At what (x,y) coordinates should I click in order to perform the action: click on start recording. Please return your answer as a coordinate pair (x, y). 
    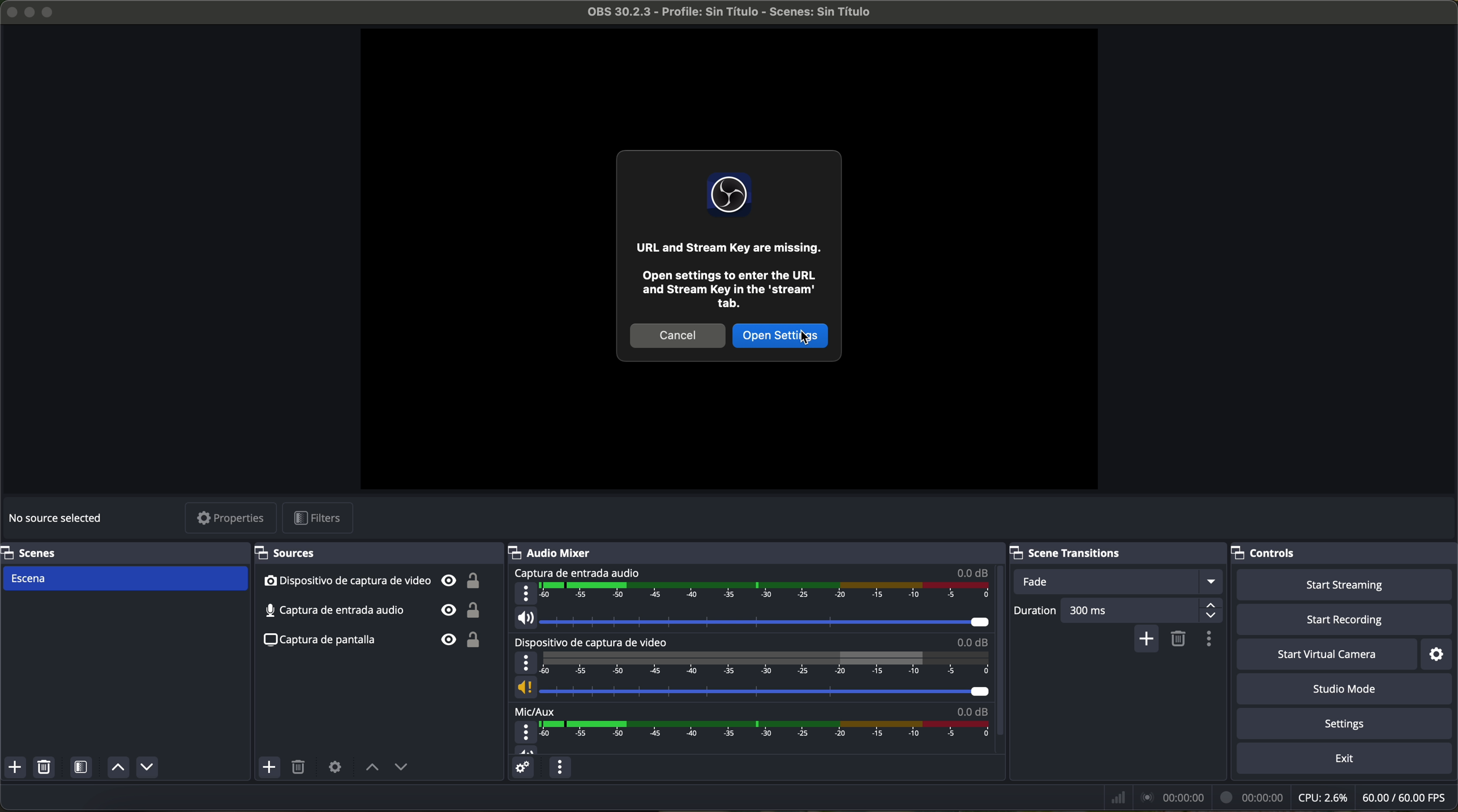
    Looking at the image, I should click on (1346, 621).